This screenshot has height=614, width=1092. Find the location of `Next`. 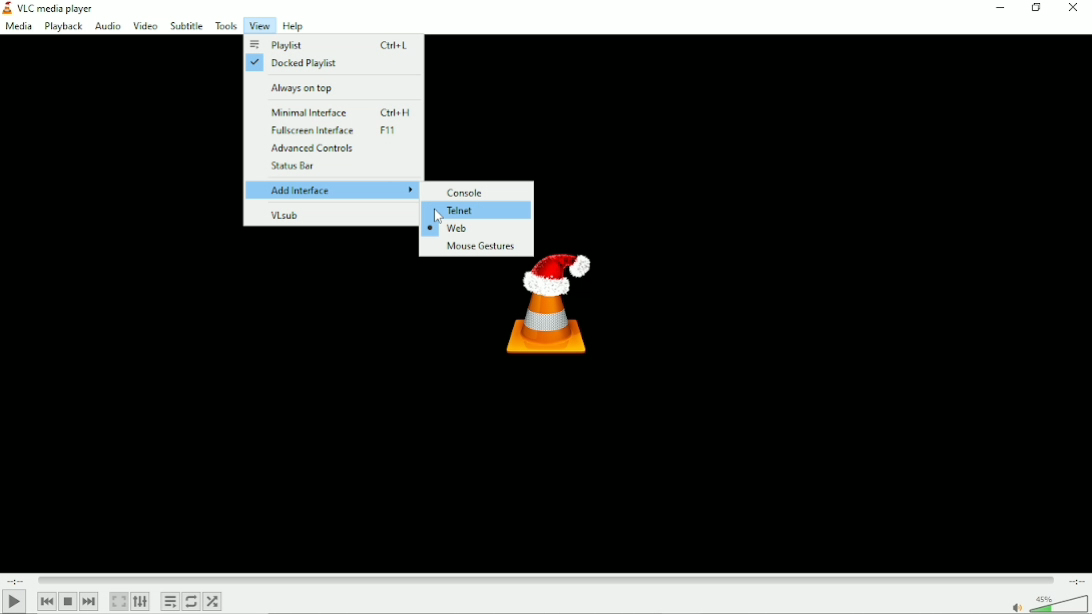

Next is located at coordinates (89, 602).